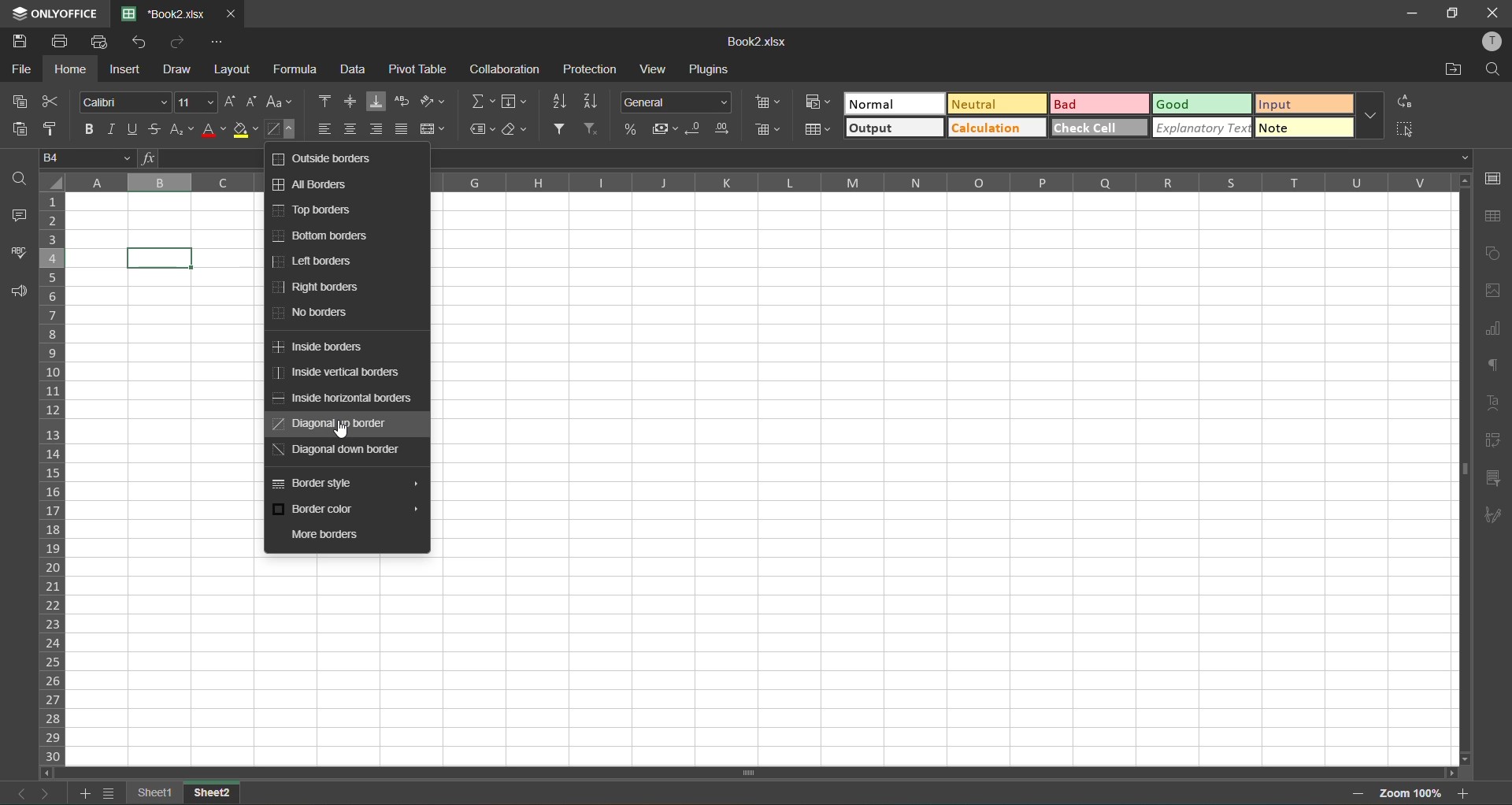 Image resolution: width=1512 pixels, height=805 pixels. I want to click on diagonal up border, so click(331, 424).